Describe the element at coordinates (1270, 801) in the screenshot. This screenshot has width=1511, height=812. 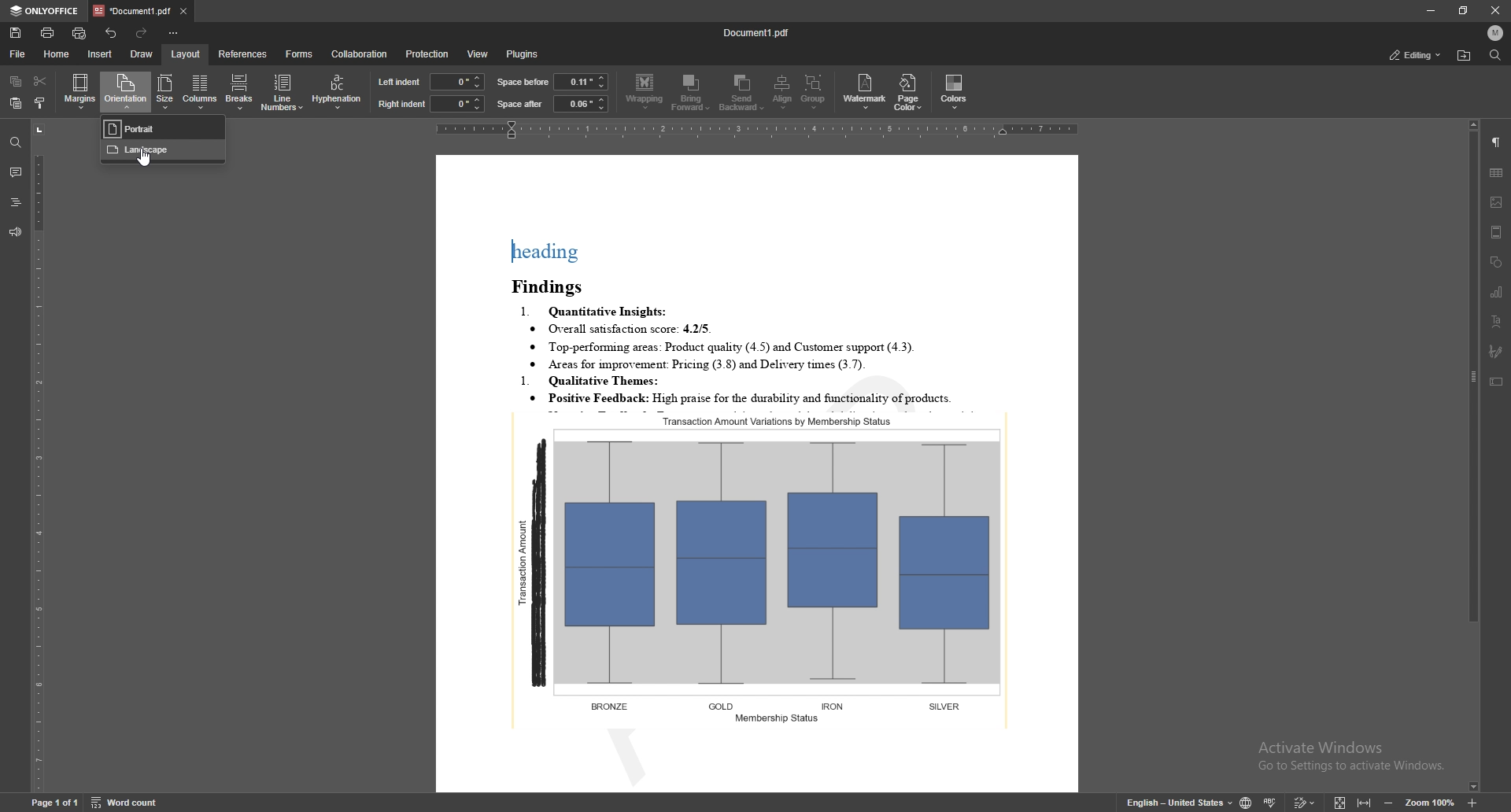
I see `spell check` at that location.